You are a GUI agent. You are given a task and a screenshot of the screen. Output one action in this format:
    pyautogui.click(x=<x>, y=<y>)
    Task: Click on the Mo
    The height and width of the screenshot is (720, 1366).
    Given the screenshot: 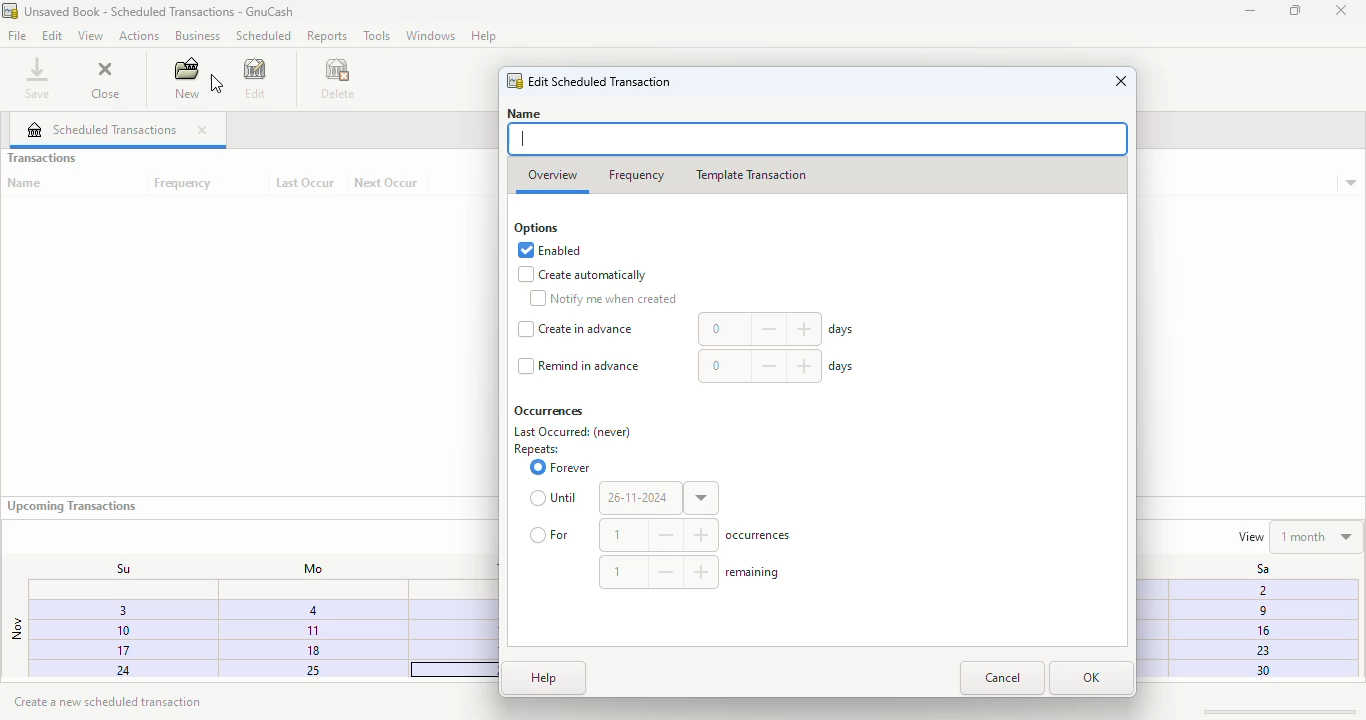 What is the action you would take?
    pyautogui.click(x=307, y=569)
    